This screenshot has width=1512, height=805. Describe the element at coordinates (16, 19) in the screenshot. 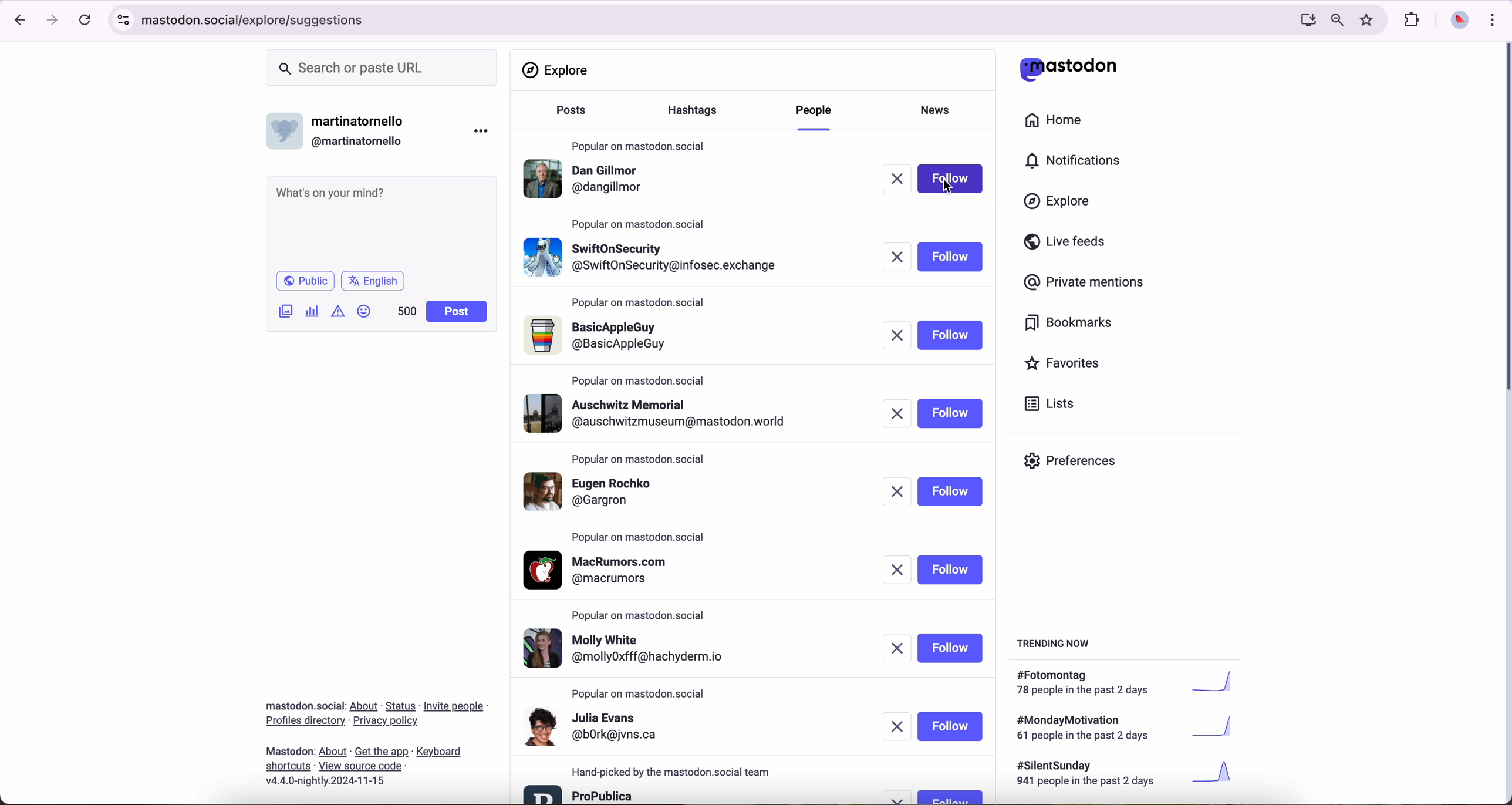

I see `navigate back` at that location.